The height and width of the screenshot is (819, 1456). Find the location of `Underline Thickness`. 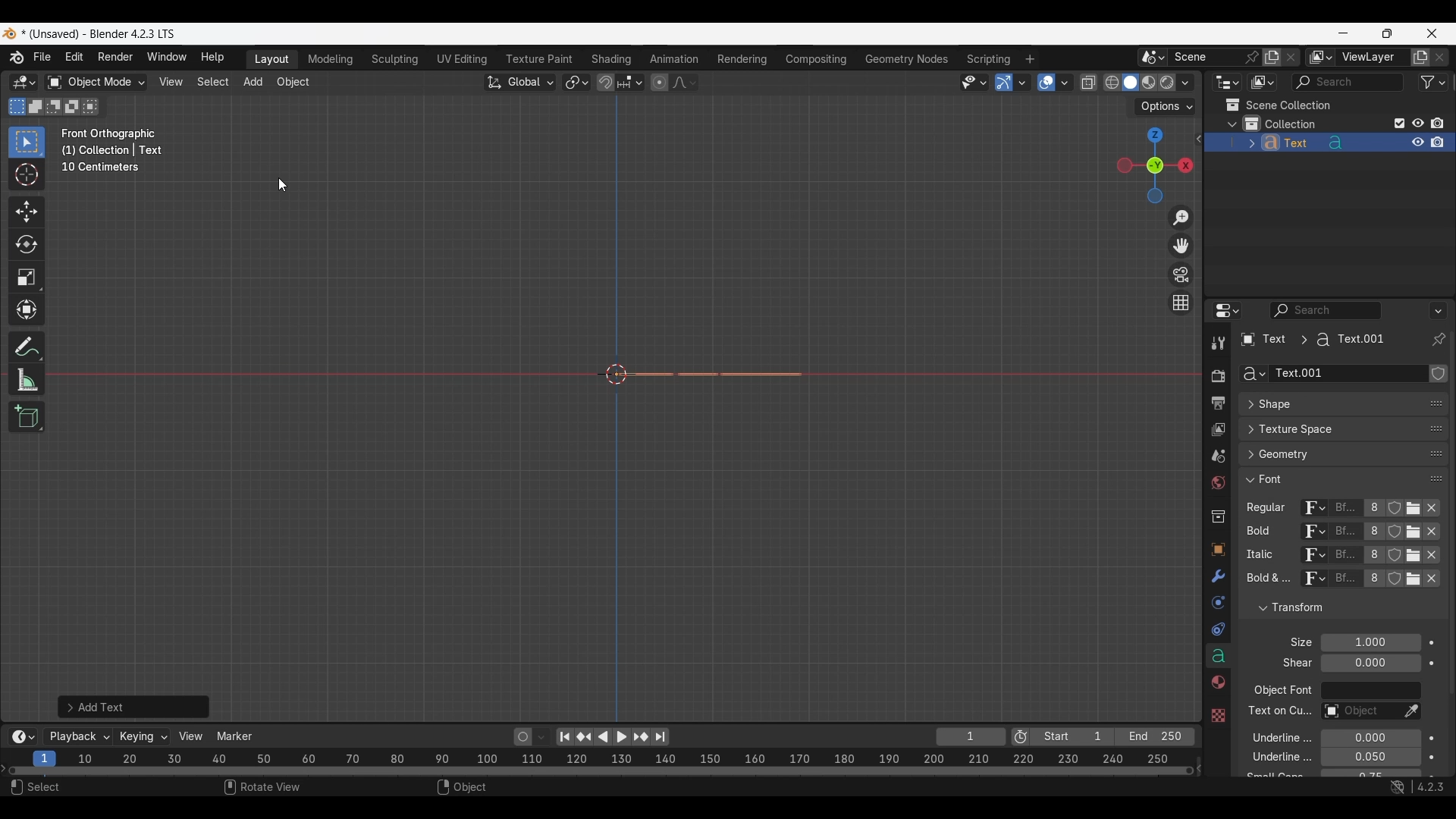

Underline Thickness is located at coordinates (1370, 758).